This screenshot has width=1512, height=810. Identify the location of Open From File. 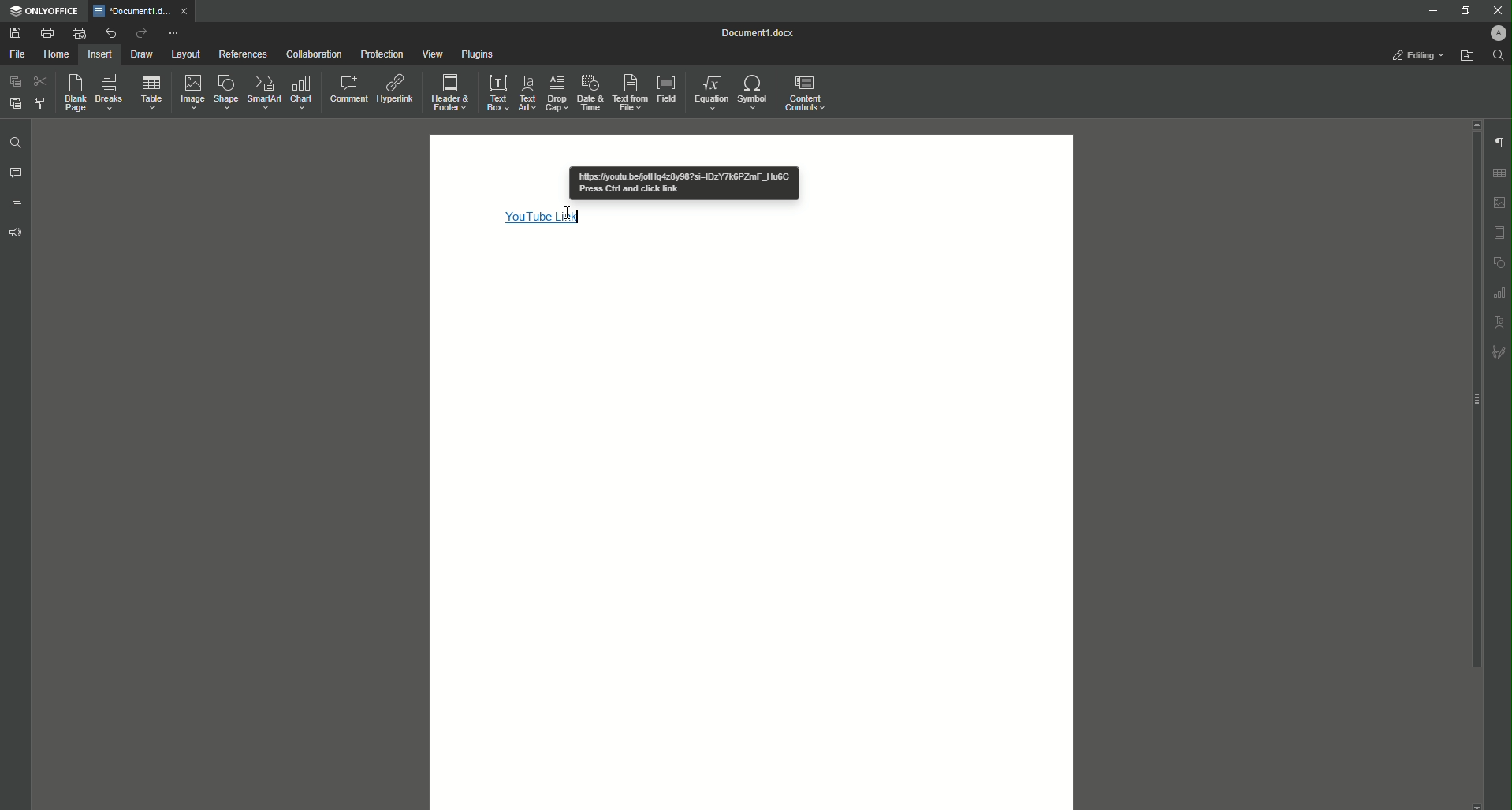
(1467, 58).